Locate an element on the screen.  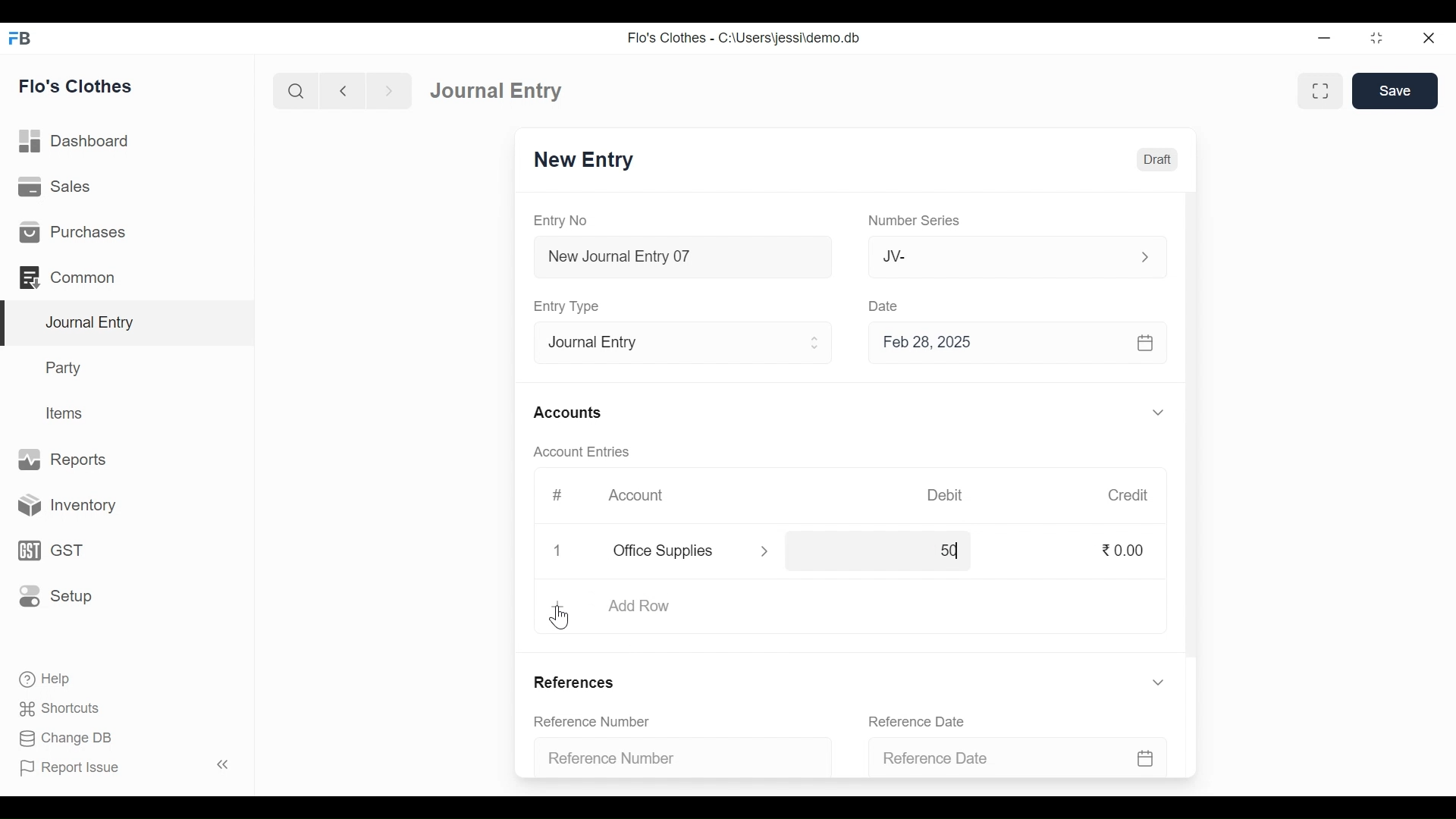
Inventory is located at coordinates (61, 507).